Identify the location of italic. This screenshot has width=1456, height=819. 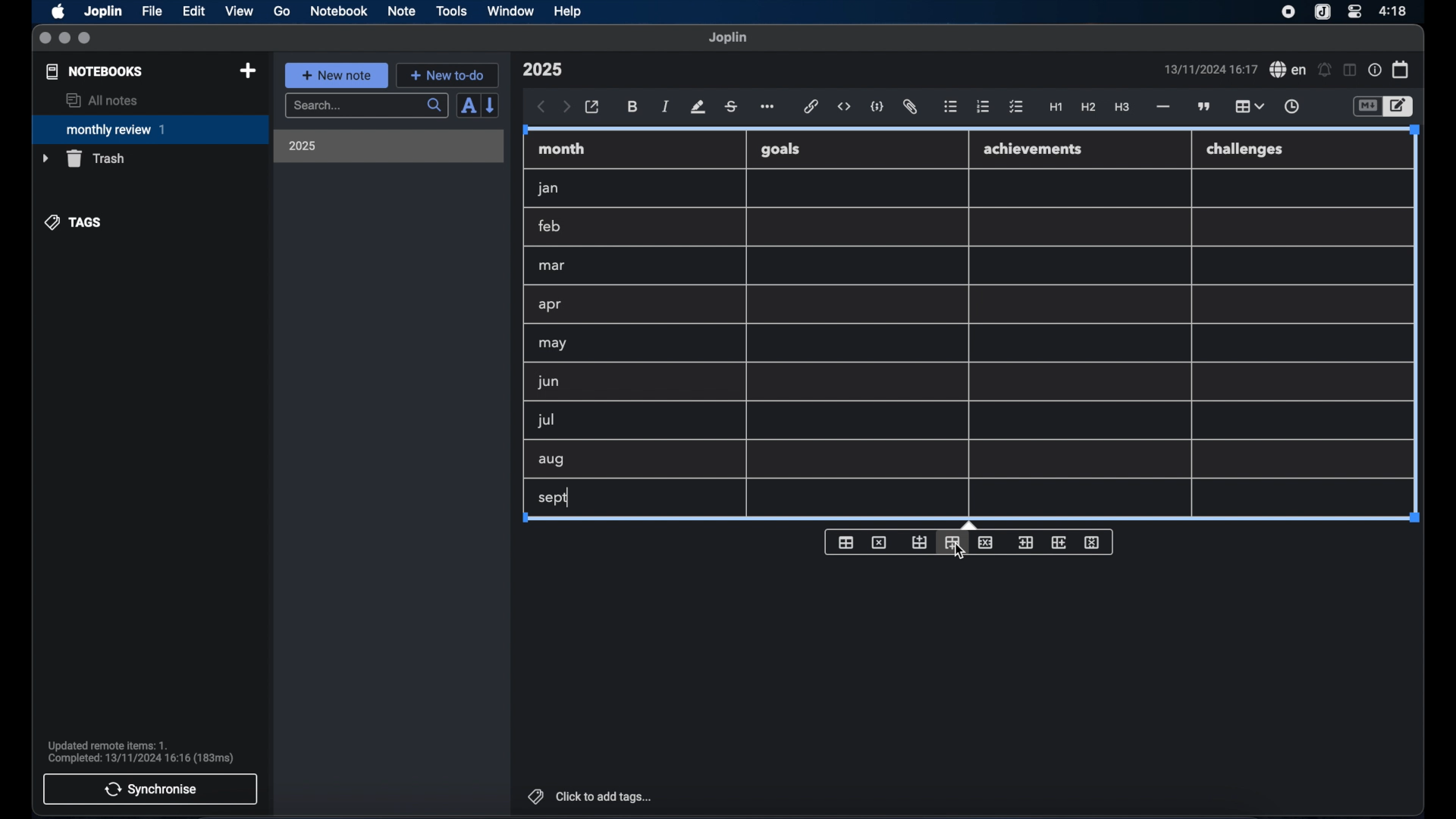
(666, 106).